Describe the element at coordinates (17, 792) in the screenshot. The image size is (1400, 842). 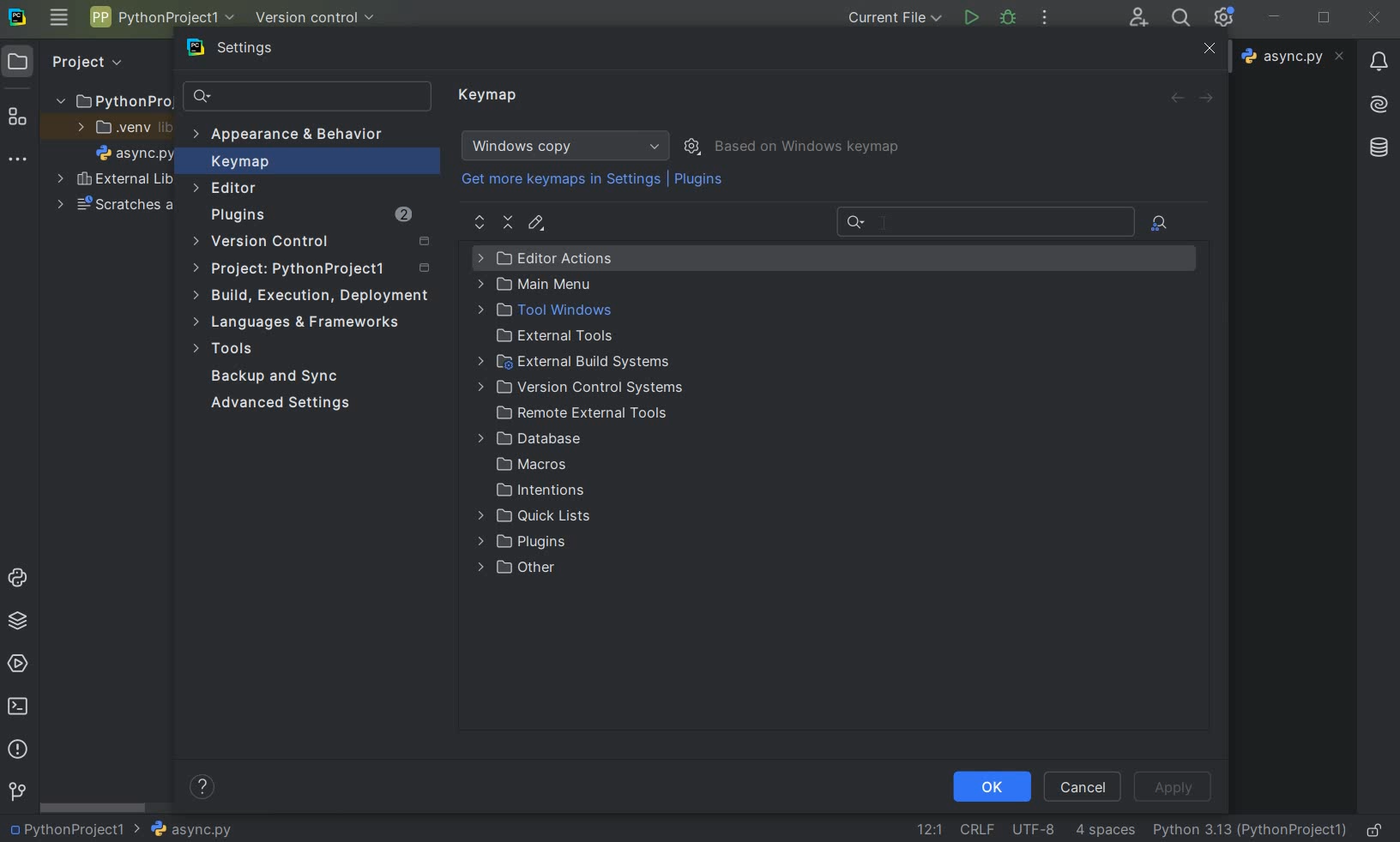
I see `version control` at that location.